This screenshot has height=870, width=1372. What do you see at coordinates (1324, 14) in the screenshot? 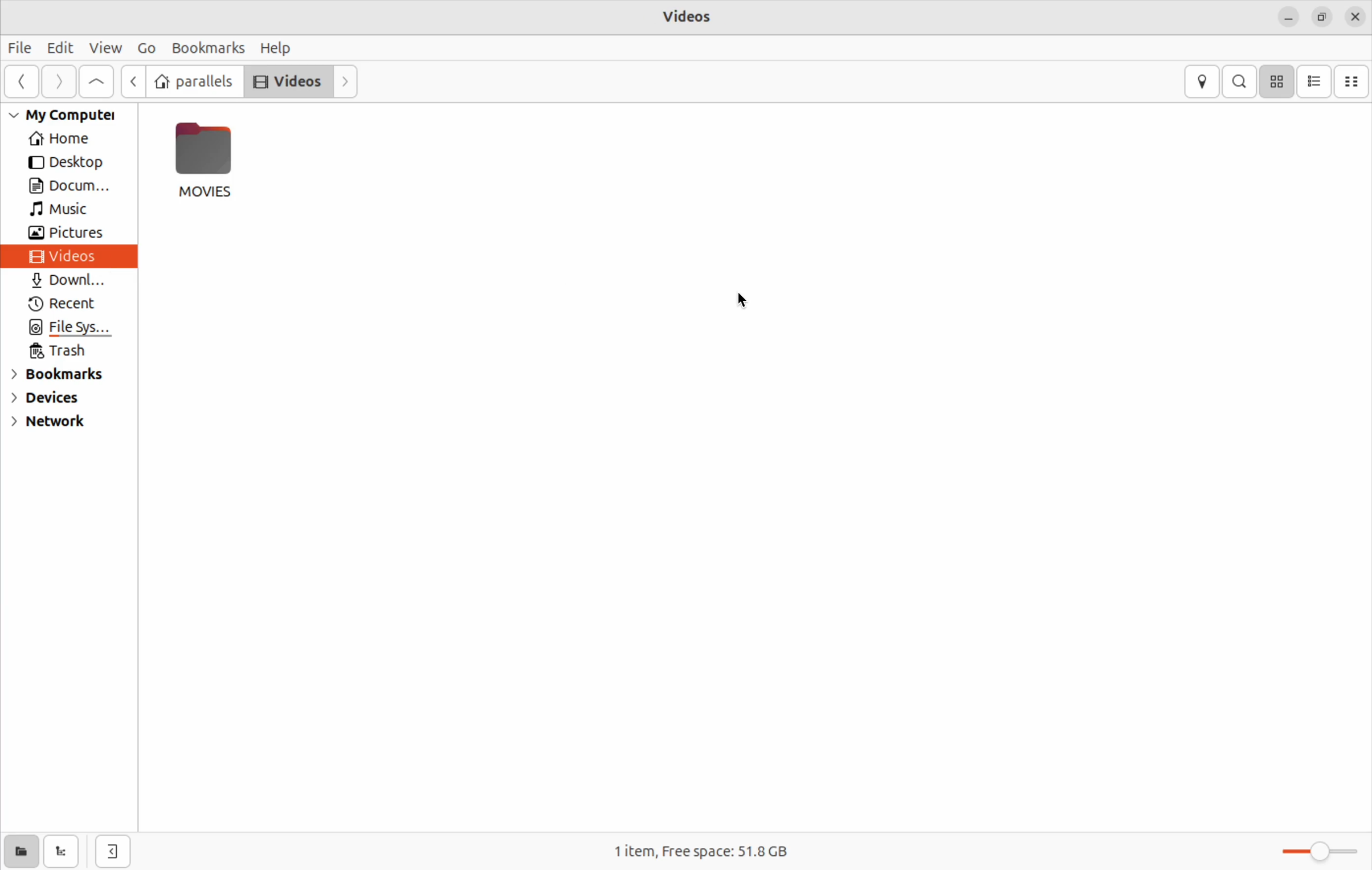
I see `resize` at bounding box center [1324, 14].